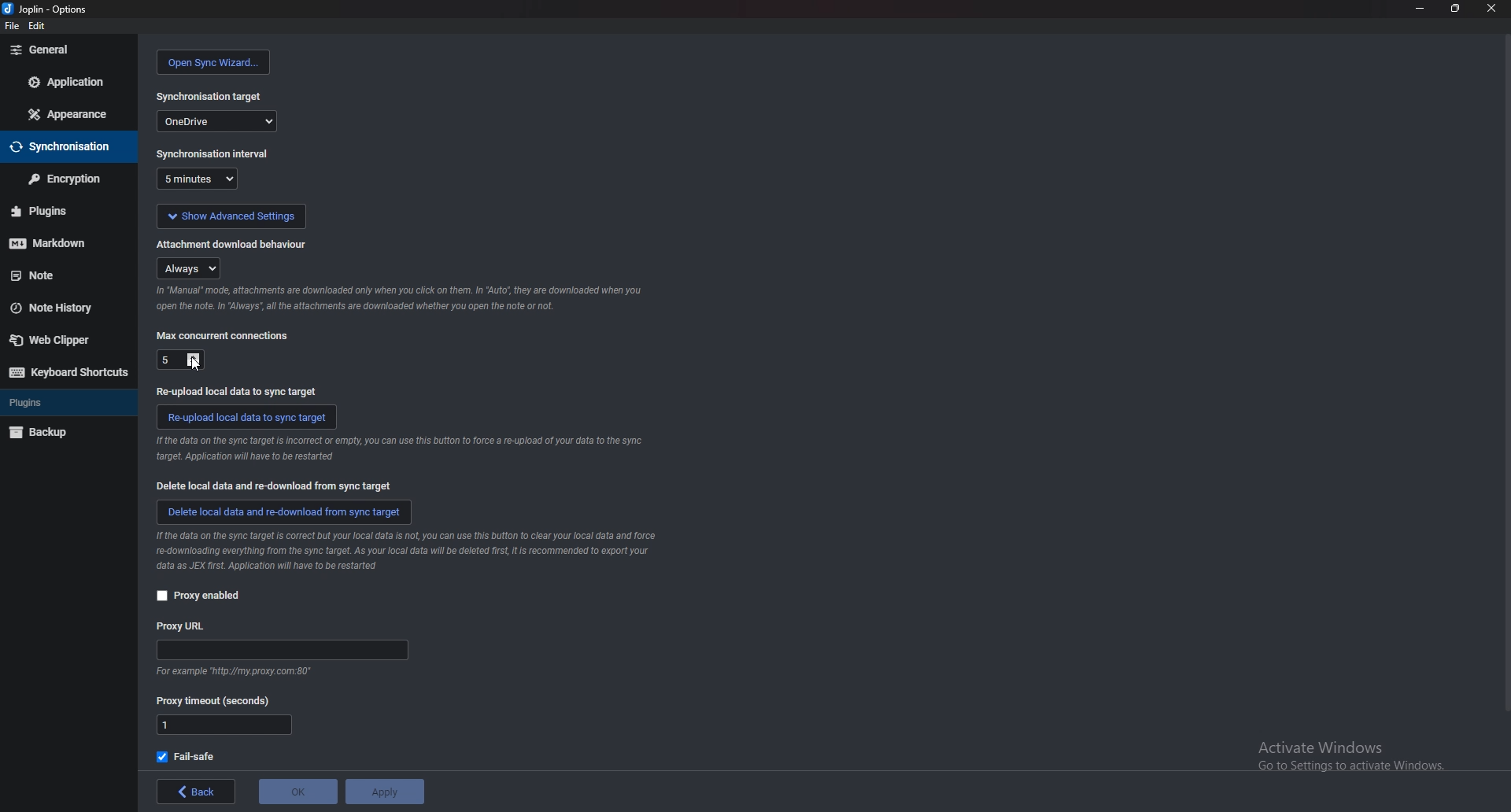  I want to click on sync interval, so click(212, 153).